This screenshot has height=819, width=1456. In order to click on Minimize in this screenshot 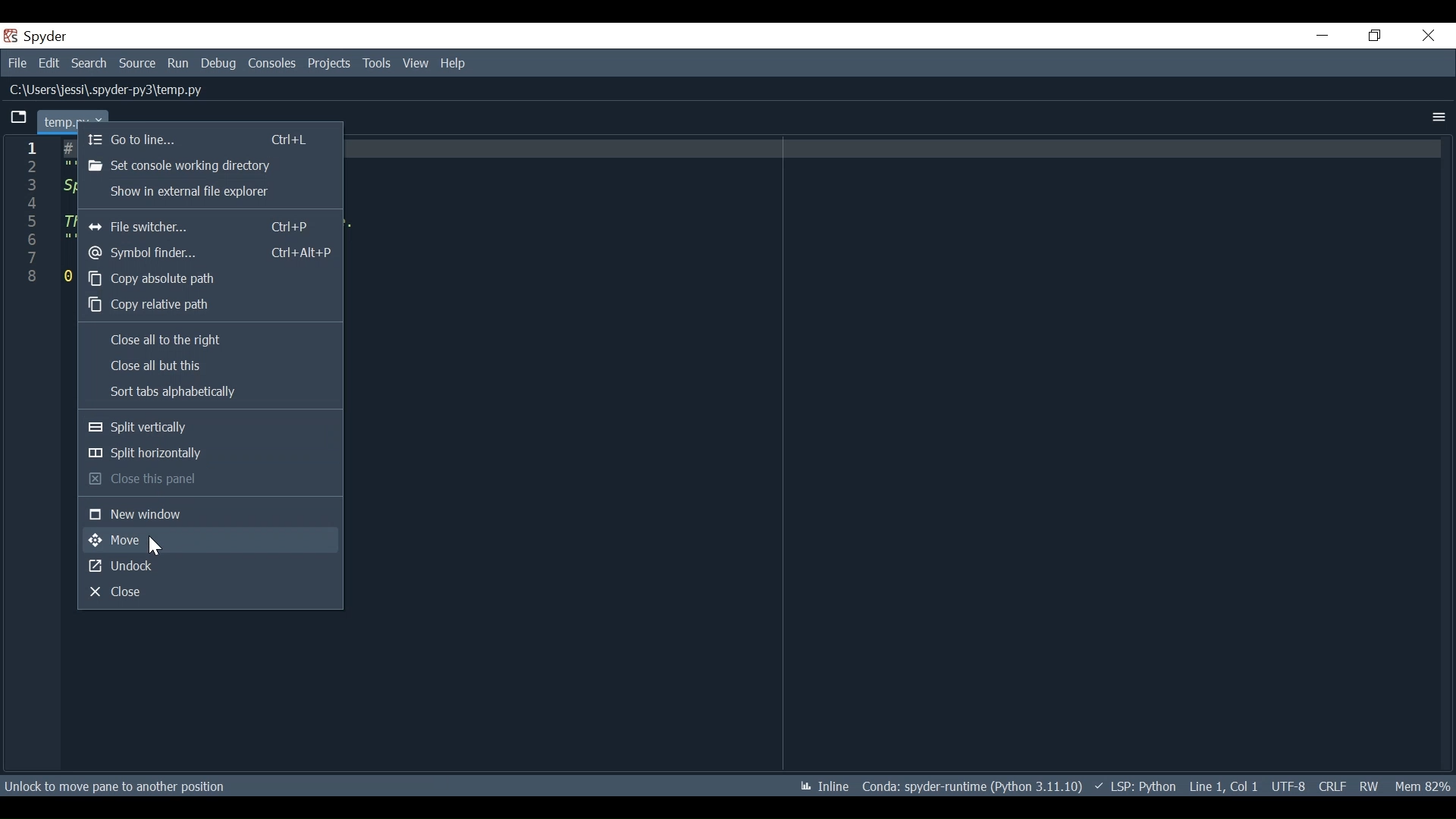, I will do `click(1325, 35)`.